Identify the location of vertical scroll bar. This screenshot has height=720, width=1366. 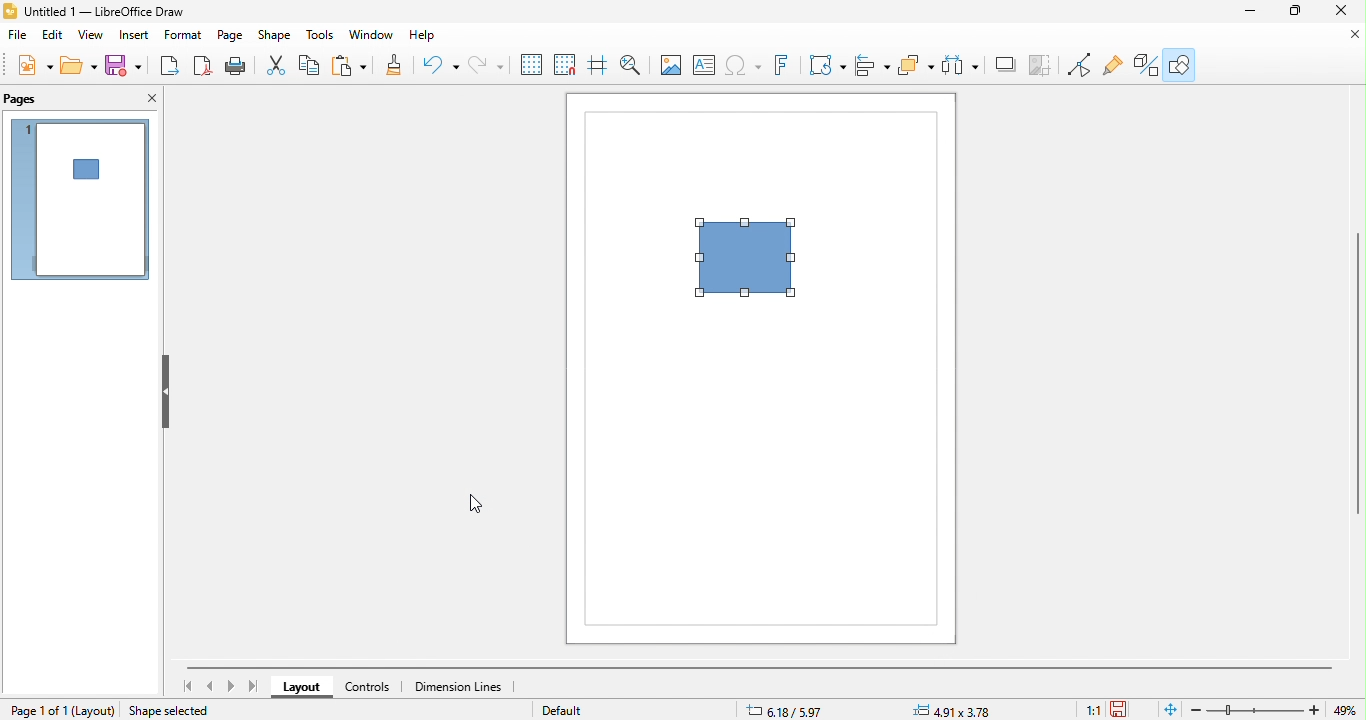
(1357, 372).